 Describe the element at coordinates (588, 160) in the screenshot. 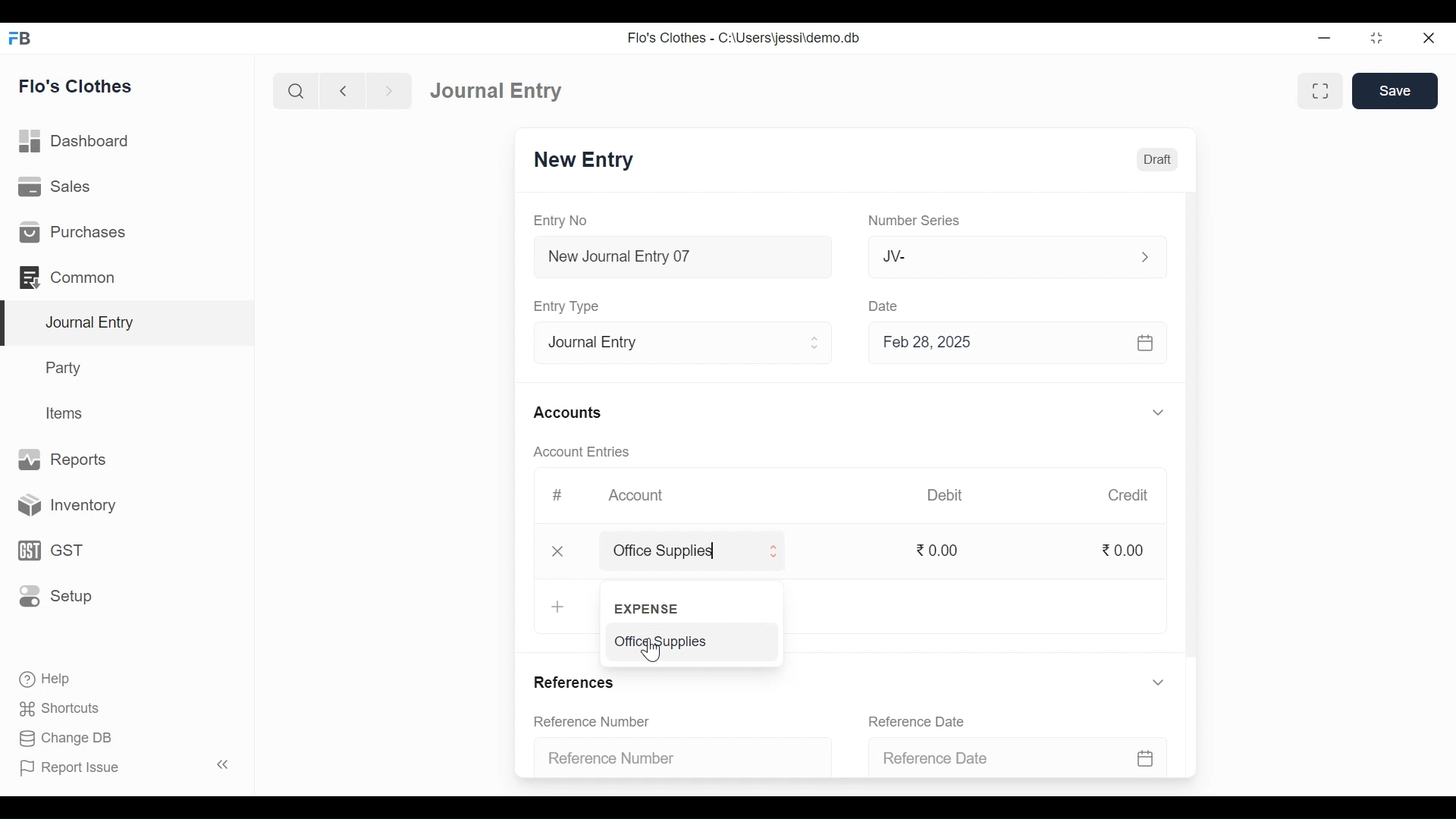

I see `New Entry` at that location.